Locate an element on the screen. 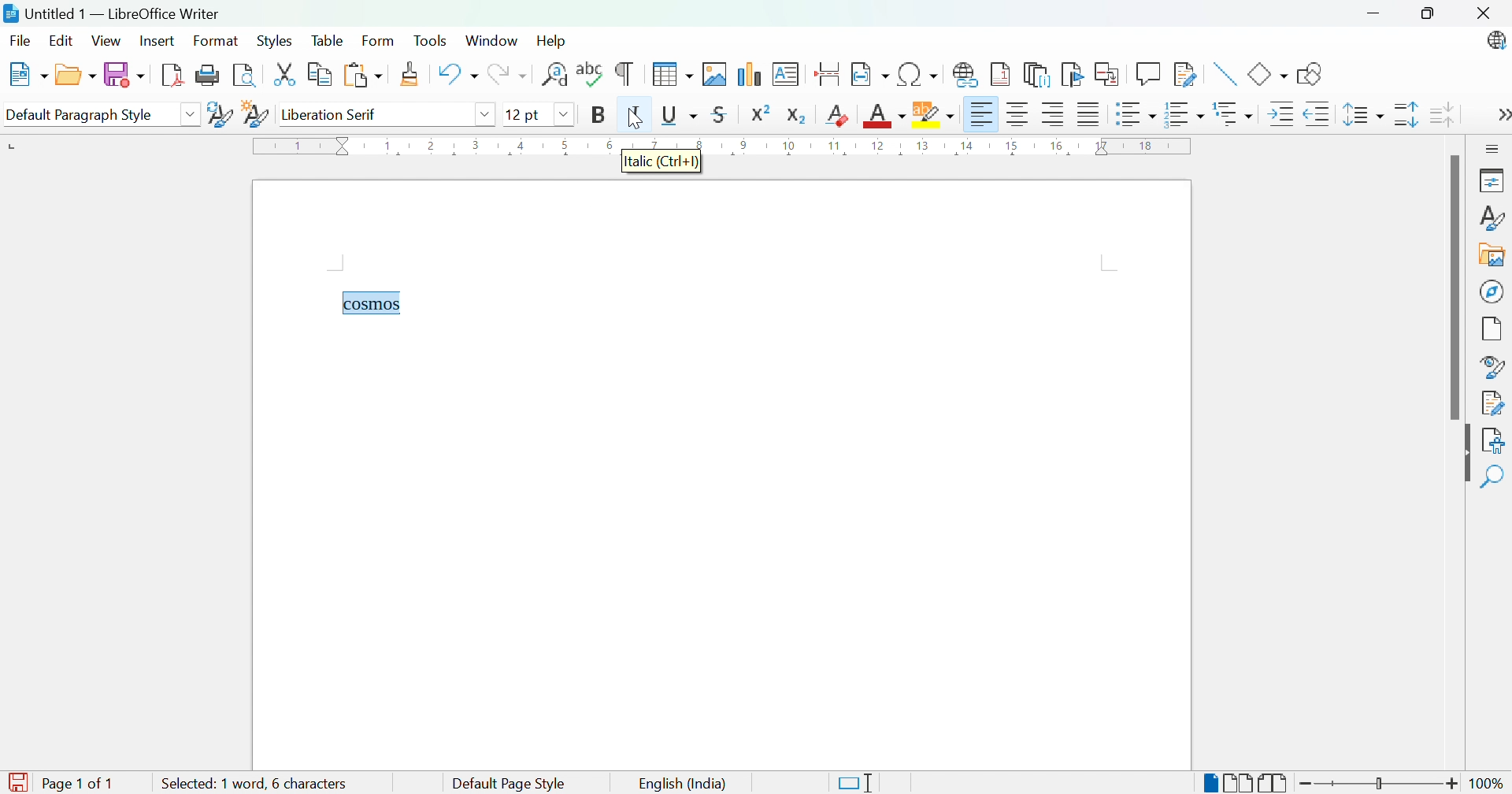 This screenshot has width=1512, height=794. Insert bookmark is located at coordinates (1073, 74).